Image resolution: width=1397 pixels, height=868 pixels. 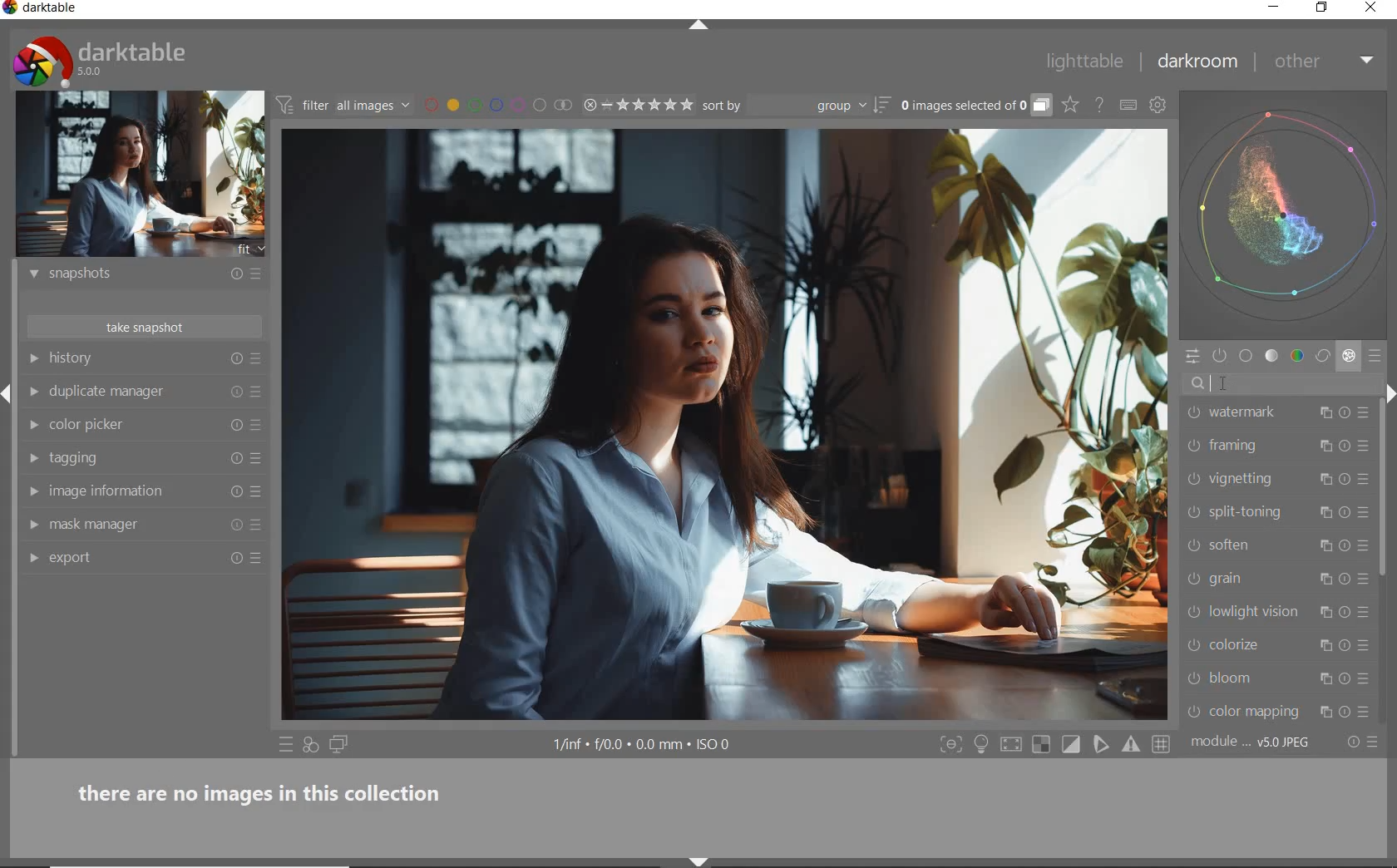 What do you see at coordinates (235, 528) in the screenshot?
I see `reset` at bounding box center [235, 528].